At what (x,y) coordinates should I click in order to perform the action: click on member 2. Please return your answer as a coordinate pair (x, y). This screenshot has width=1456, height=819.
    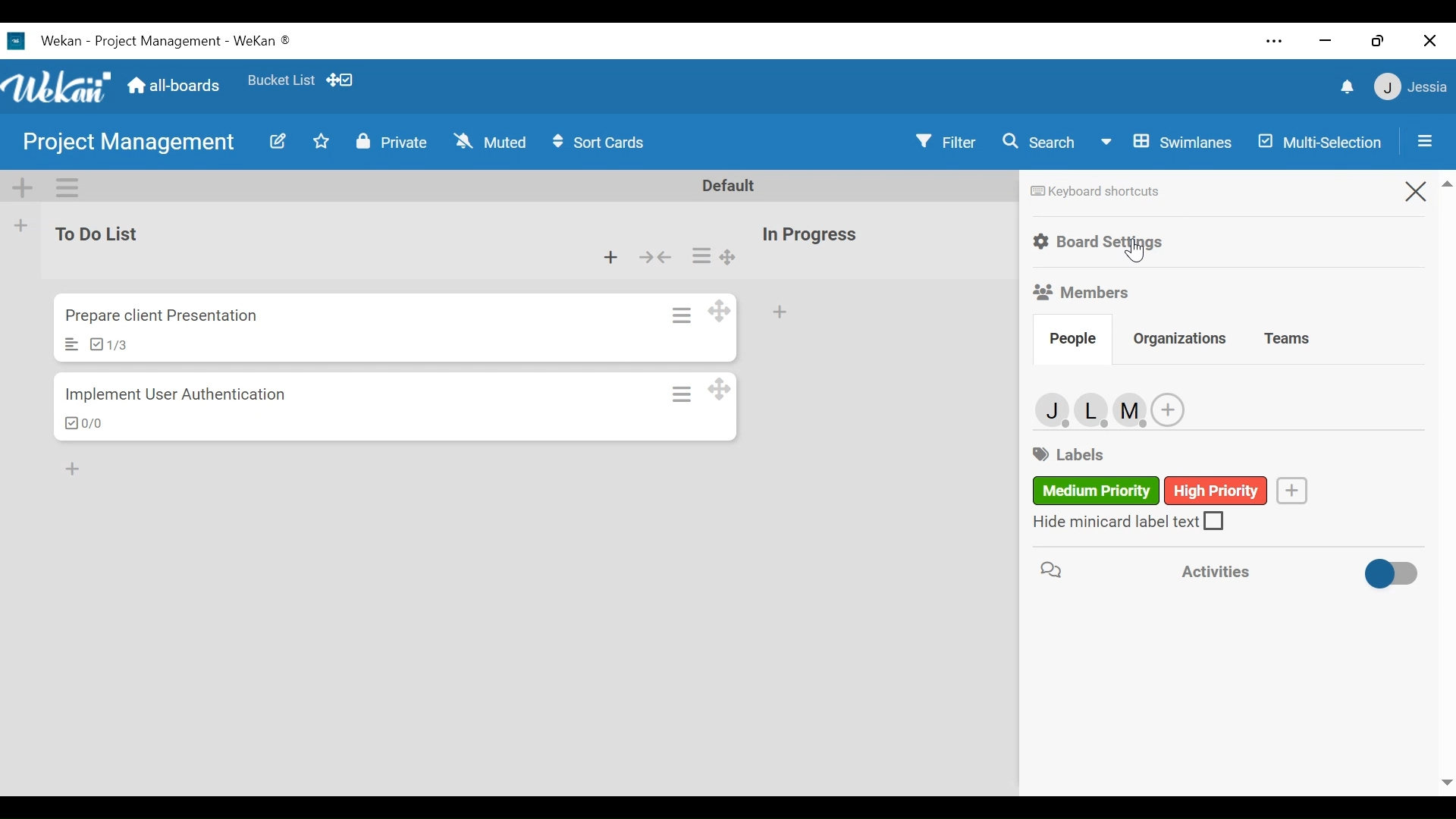
    Looking at the image, I should click on (1091, 412).